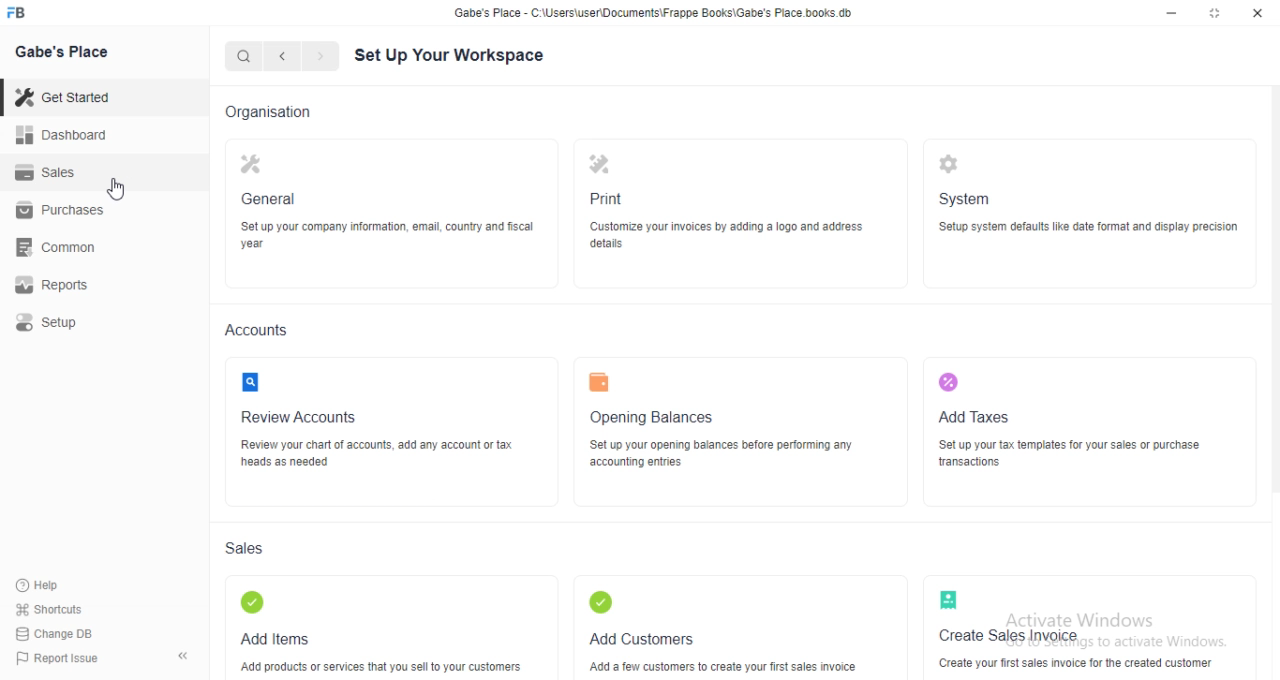 The width and height of the screenshot is (1280, 680). I want to click on Logo, so click(24, 13).